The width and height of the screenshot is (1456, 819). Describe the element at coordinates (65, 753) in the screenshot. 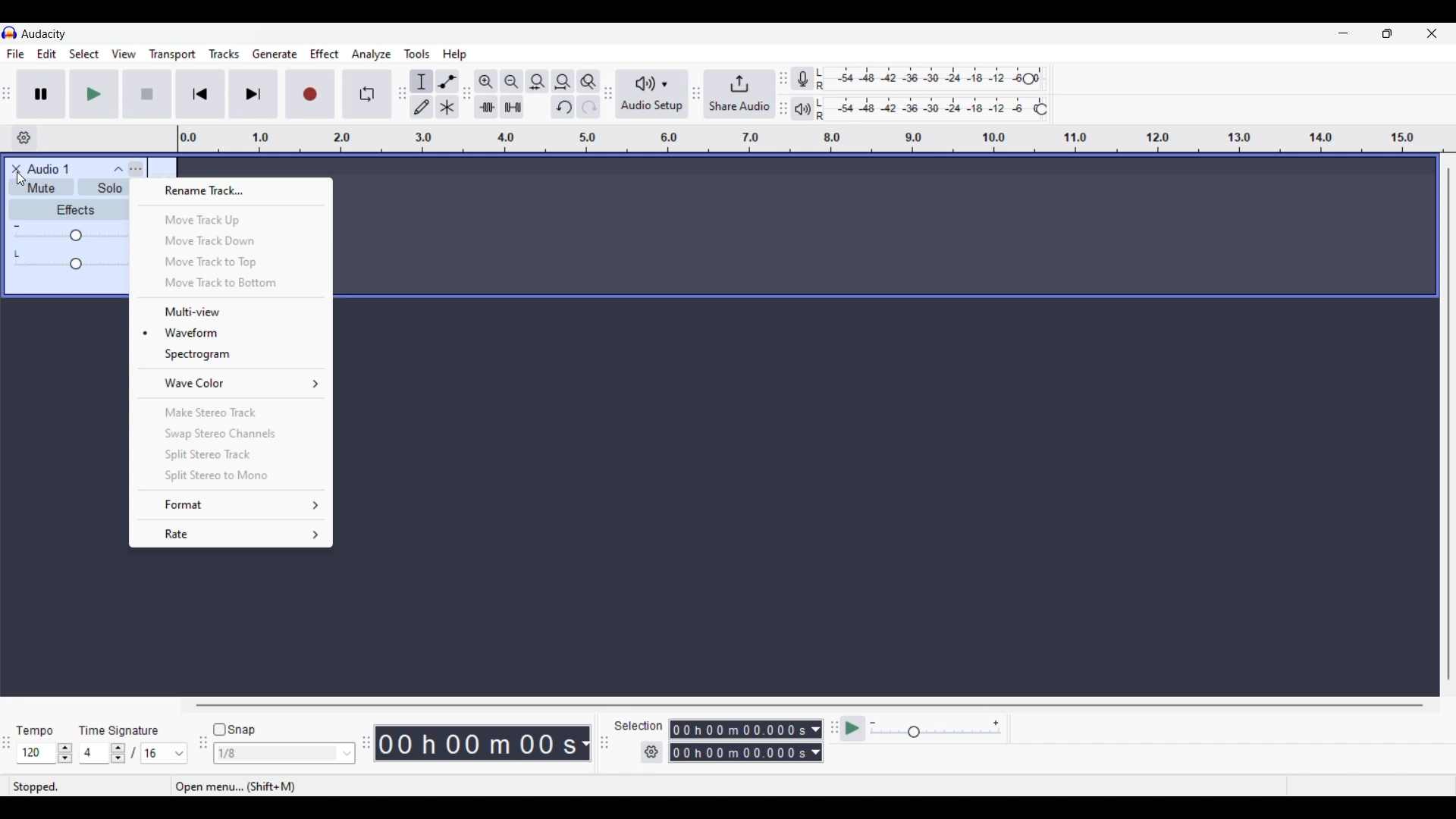

I see `Increase/Decrease tempo` at that location.